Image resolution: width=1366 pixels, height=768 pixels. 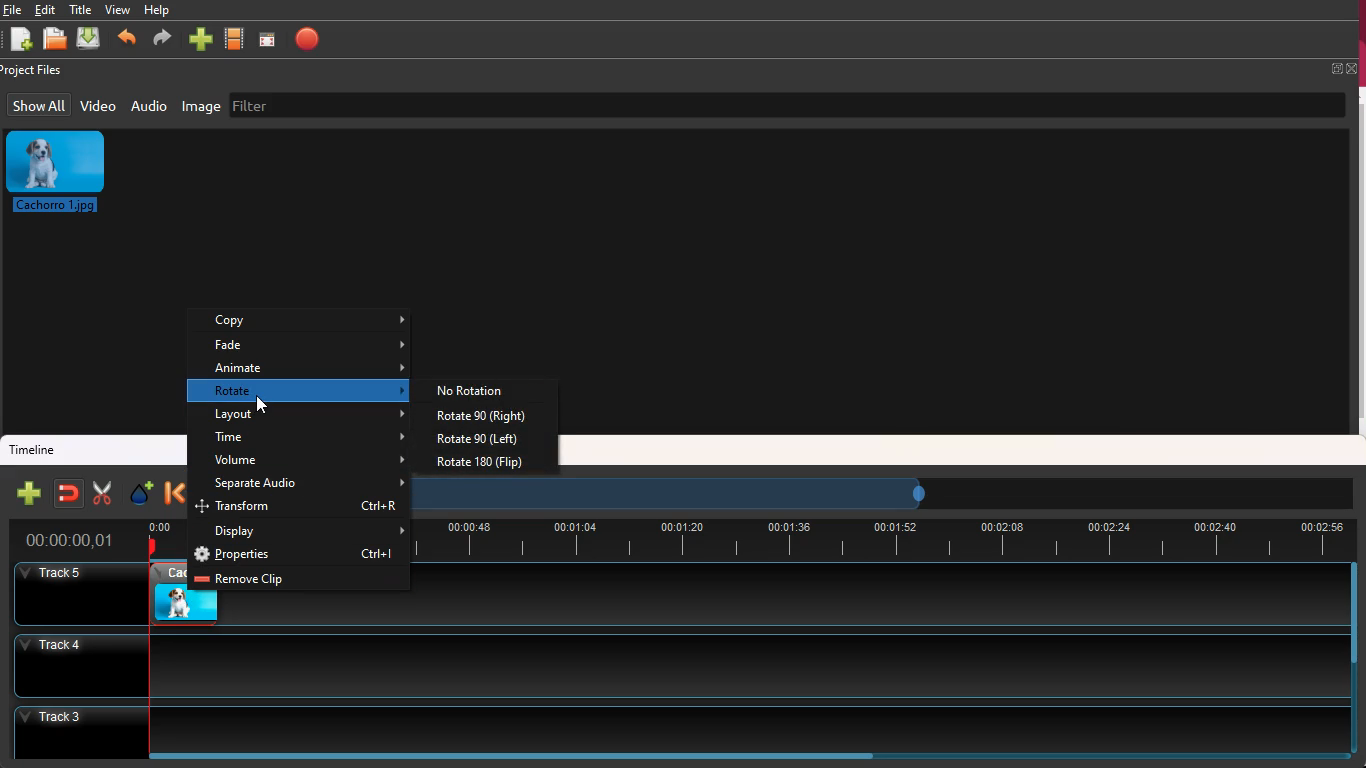 What do you see at coordinates (266, 42) in the screenshot?
I see `screen` at bounding box center [266, 42].